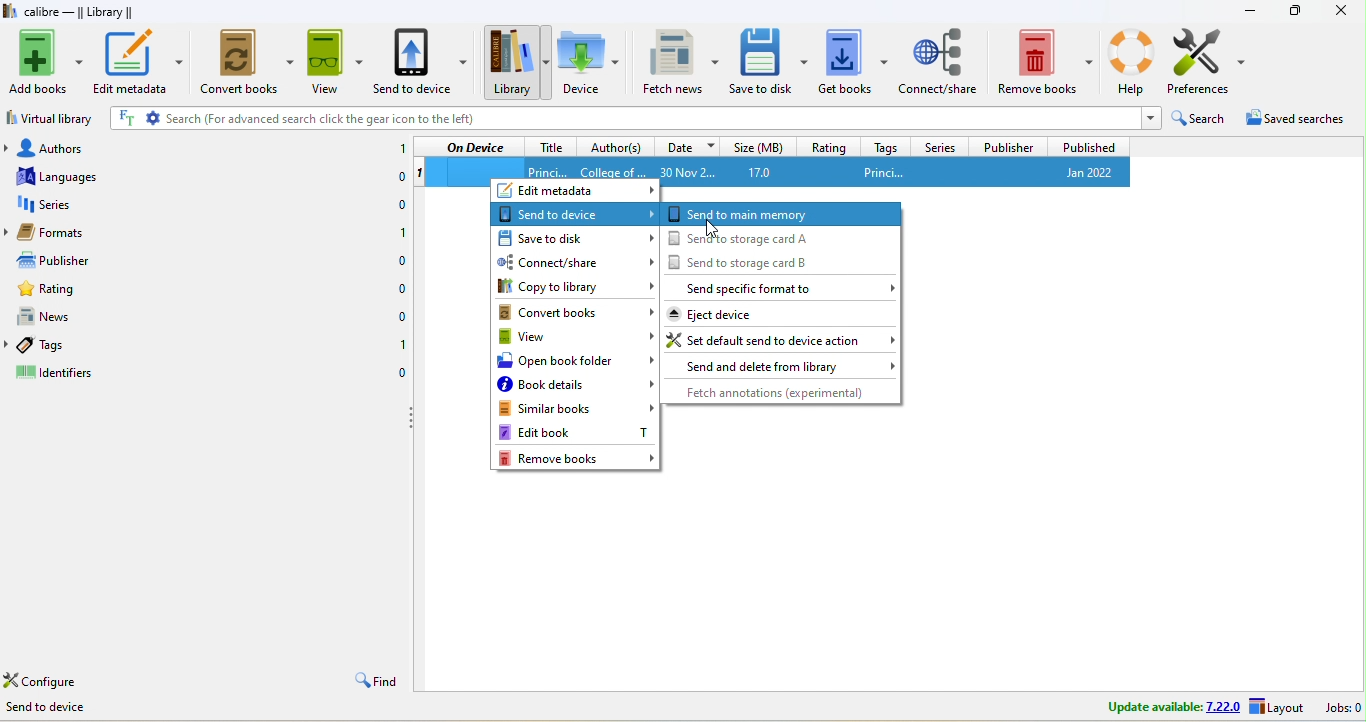 The width and height of the screenshot is (1366, 722). Describe the element at coordinates (1295, 9) in the screenshot. I see `resize` at that location.